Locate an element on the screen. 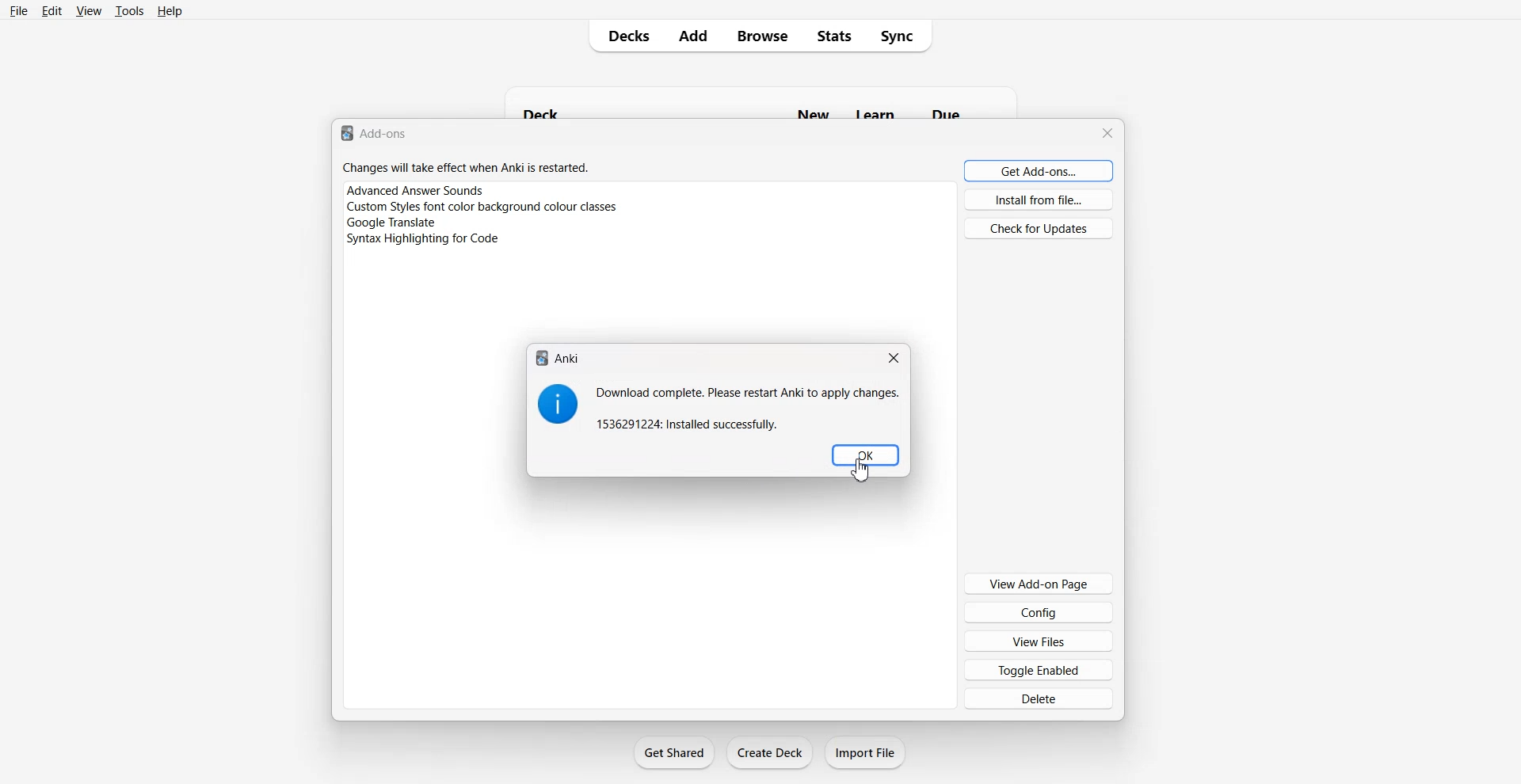 This screenshot has width=1521, height=784. Anki is located at coordinates (571, 360).